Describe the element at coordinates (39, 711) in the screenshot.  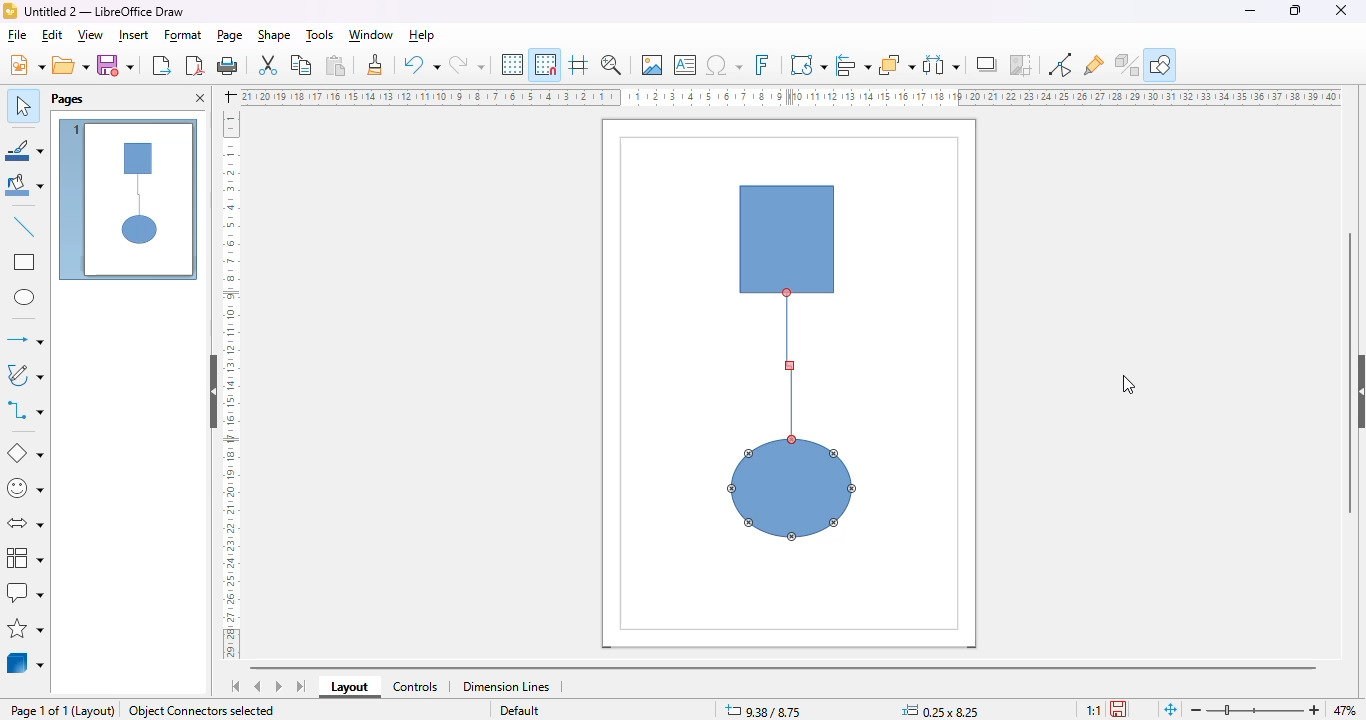
I see `page 1 of 1` at that location.